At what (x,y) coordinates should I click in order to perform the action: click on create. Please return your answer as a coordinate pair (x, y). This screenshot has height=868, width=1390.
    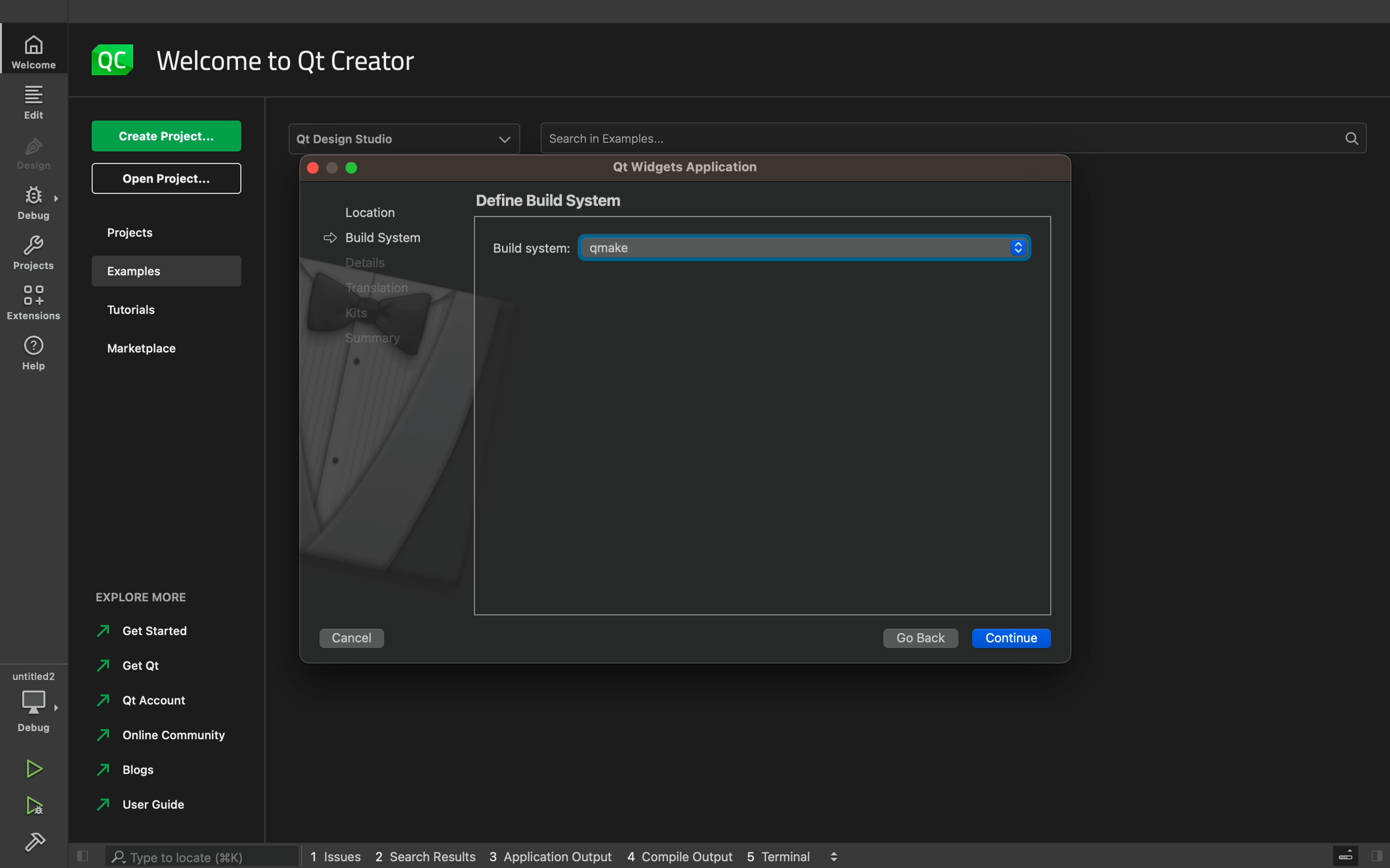
    Looking at the image, I should click on (165, 137).